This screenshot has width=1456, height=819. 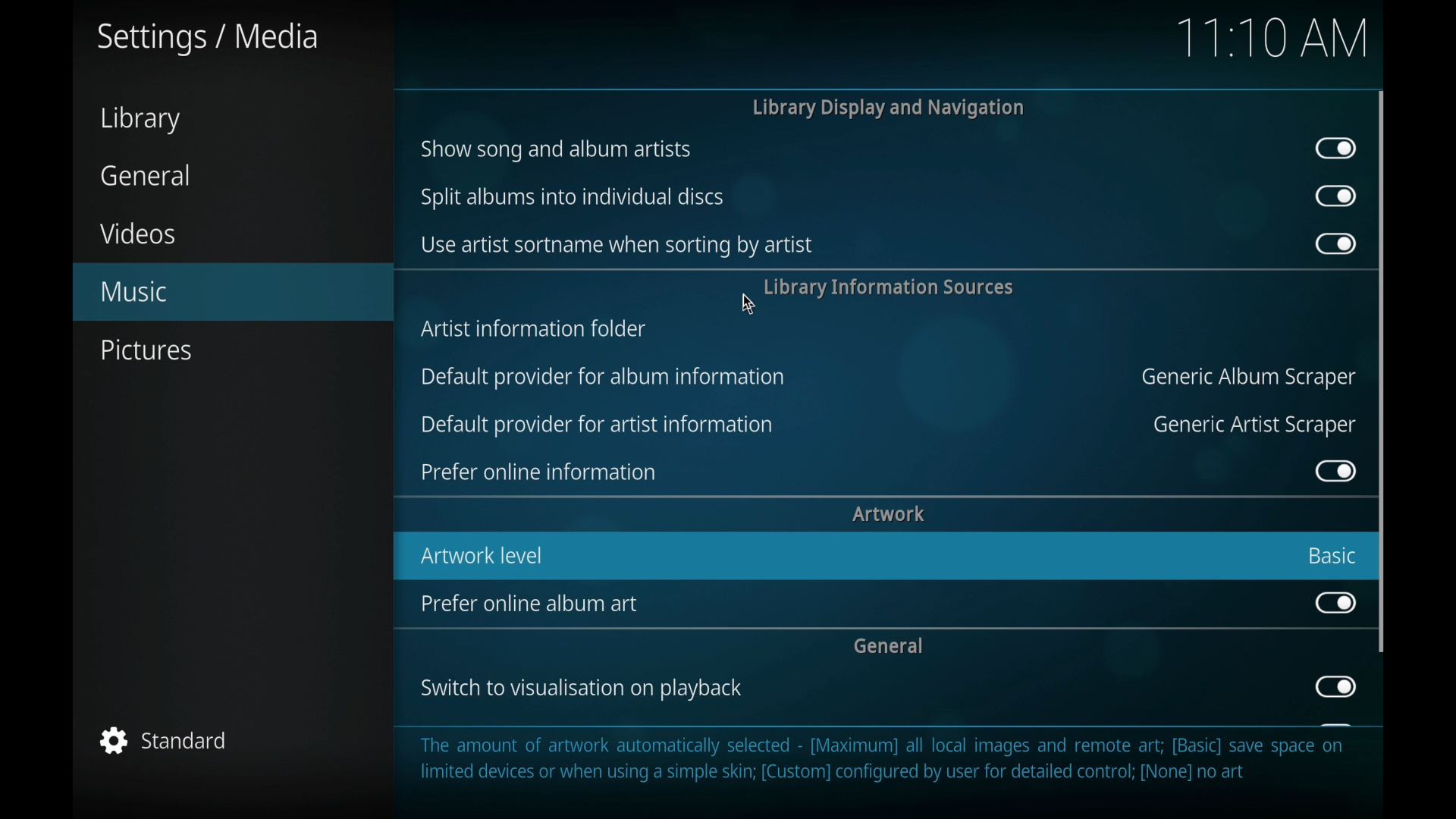 I want to click on time, so click(x=1271, y=39).